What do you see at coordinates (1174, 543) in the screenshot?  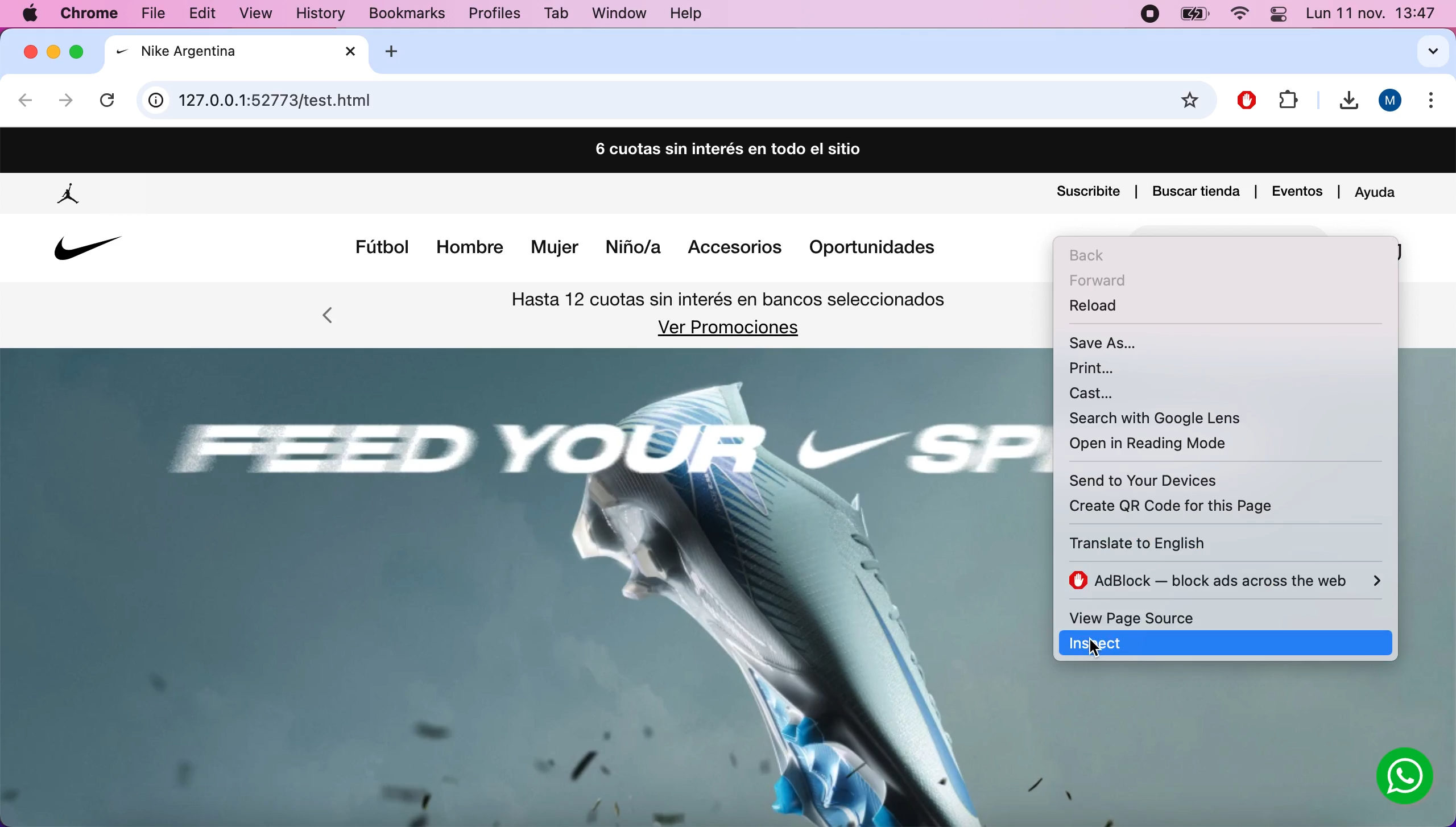 I see `translate to english` at bounding box center [1174, 543].